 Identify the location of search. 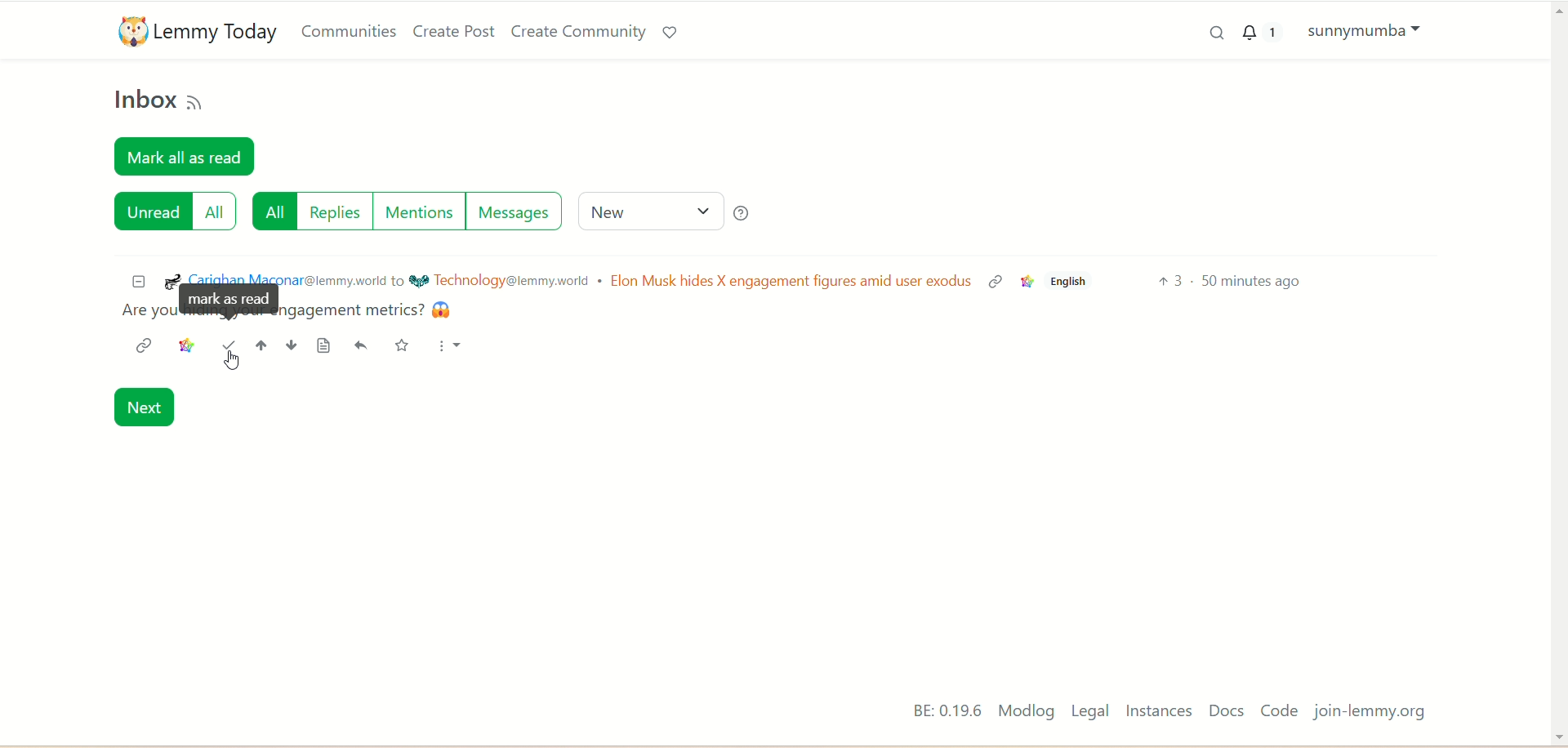
(1203, 33).